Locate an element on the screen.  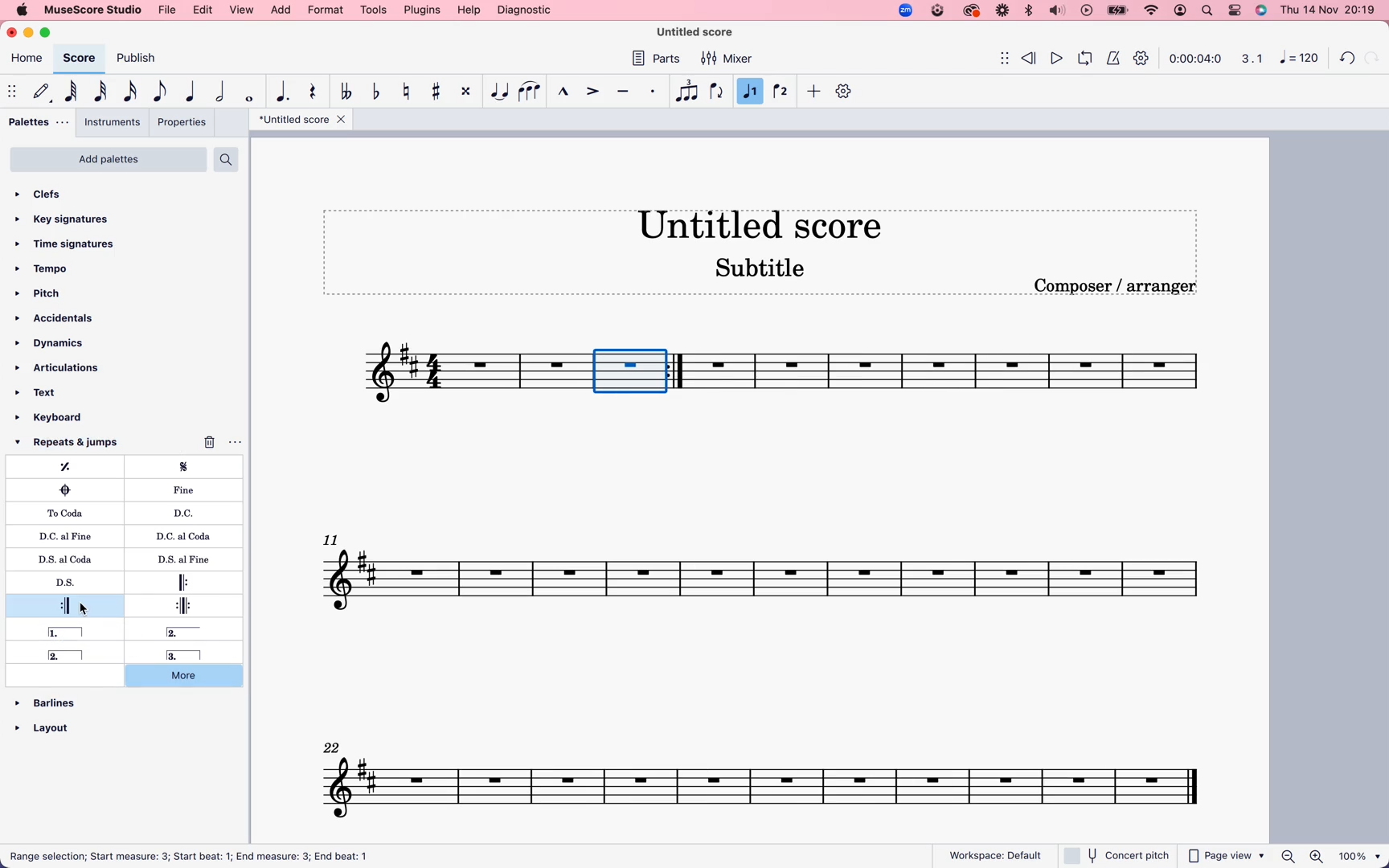
score is located at coordinates (79, 58).